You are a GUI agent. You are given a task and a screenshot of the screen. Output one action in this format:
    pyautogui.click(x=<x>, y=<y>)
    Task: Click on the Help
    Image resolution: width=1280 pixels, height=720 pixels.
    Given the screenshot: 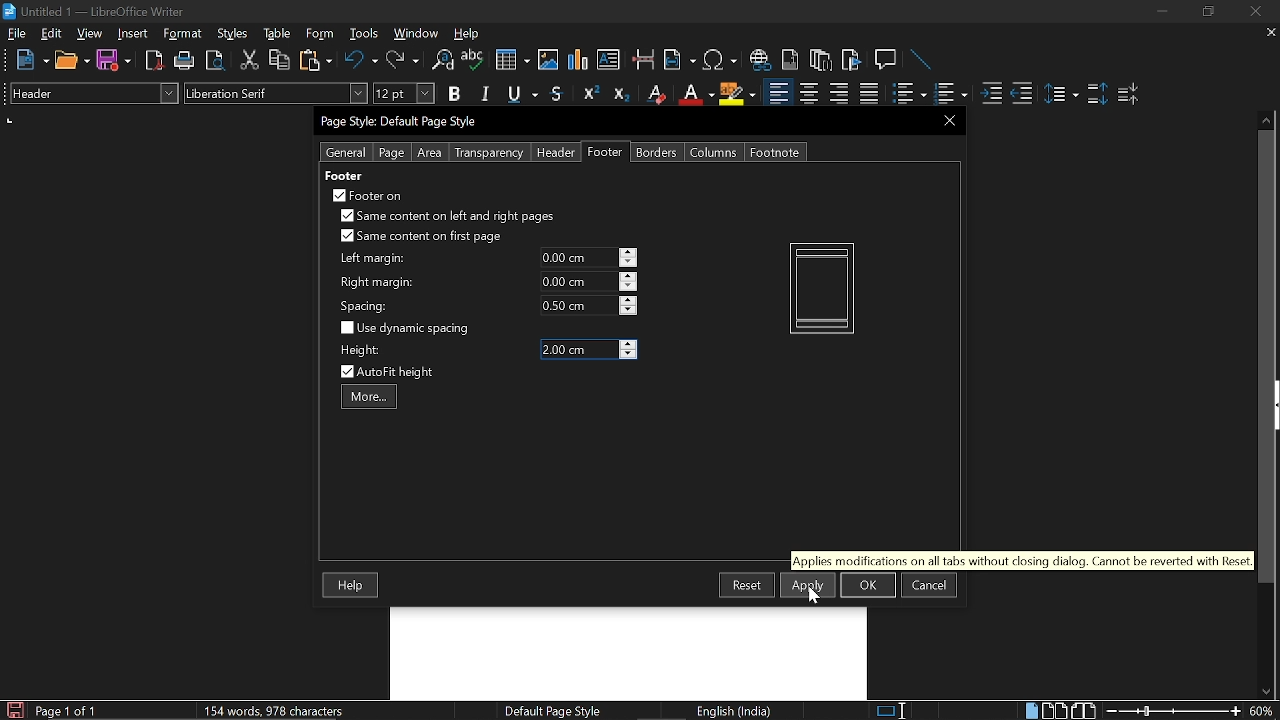 What is the action you would take?
    pyautogui.click(x=352, y=586)
    